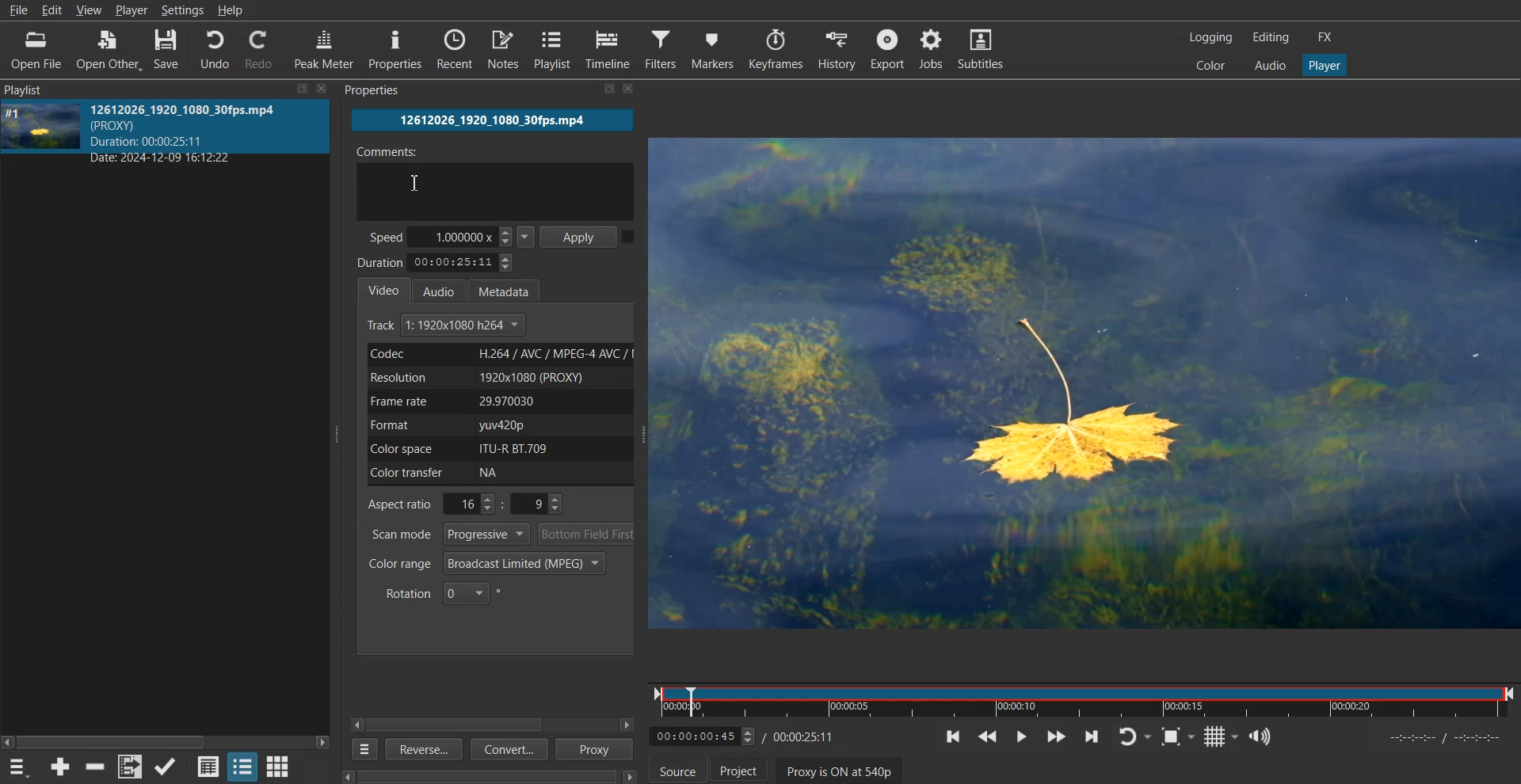  I want to click on Properties, so click(396, 50).